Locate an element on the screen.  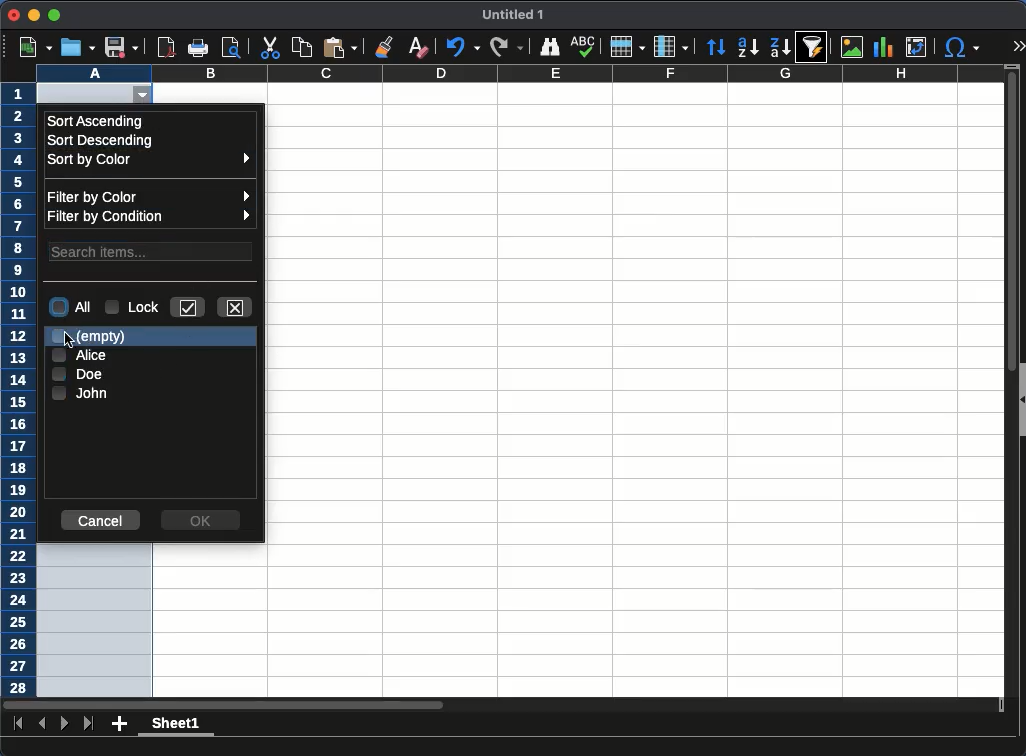
previous sheet is located at coordinates (44, 723).